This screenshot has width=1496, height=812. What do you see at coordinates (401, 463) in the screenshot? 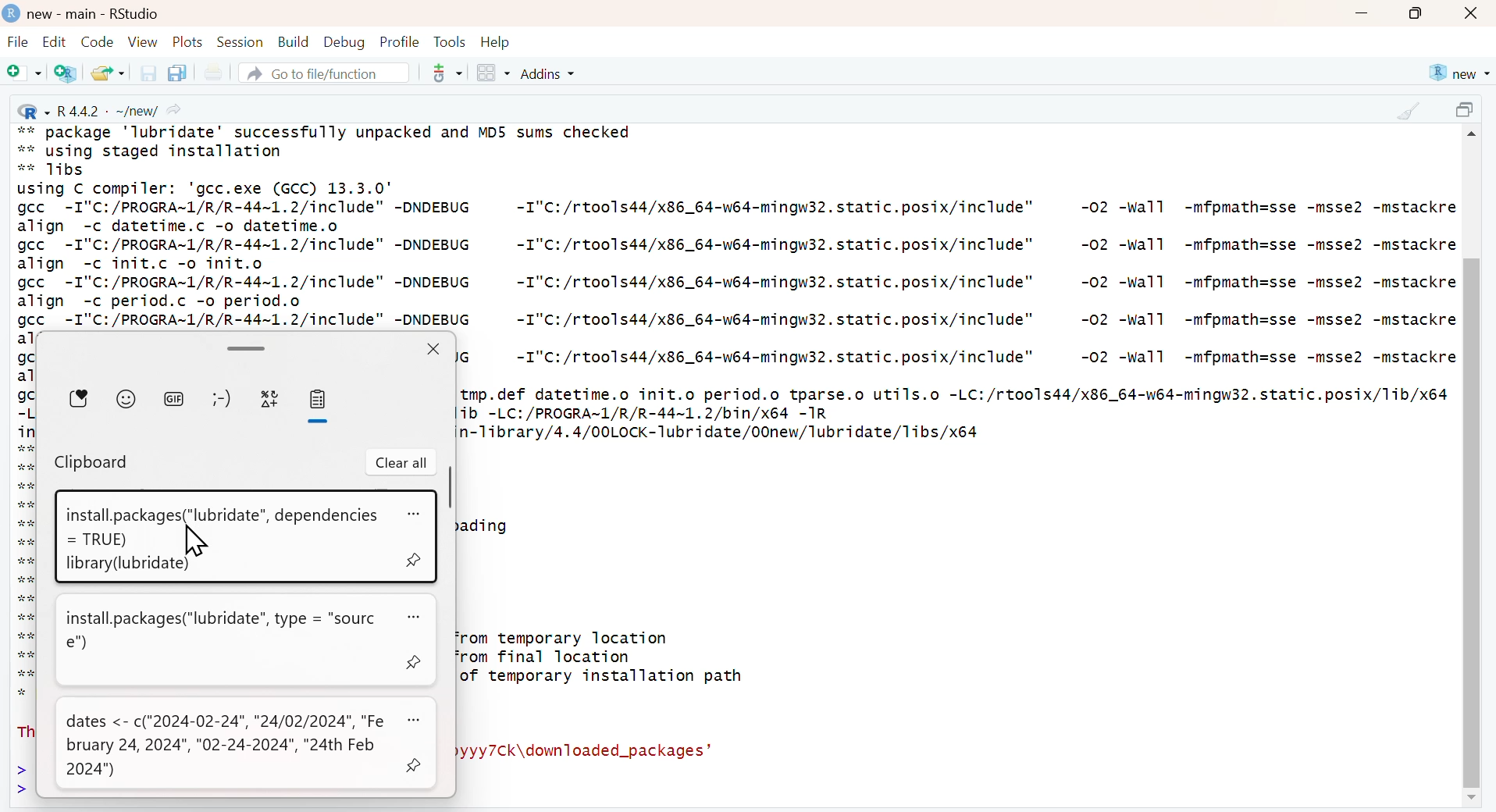
I see `Clear all` at bounding box center [401, 463].